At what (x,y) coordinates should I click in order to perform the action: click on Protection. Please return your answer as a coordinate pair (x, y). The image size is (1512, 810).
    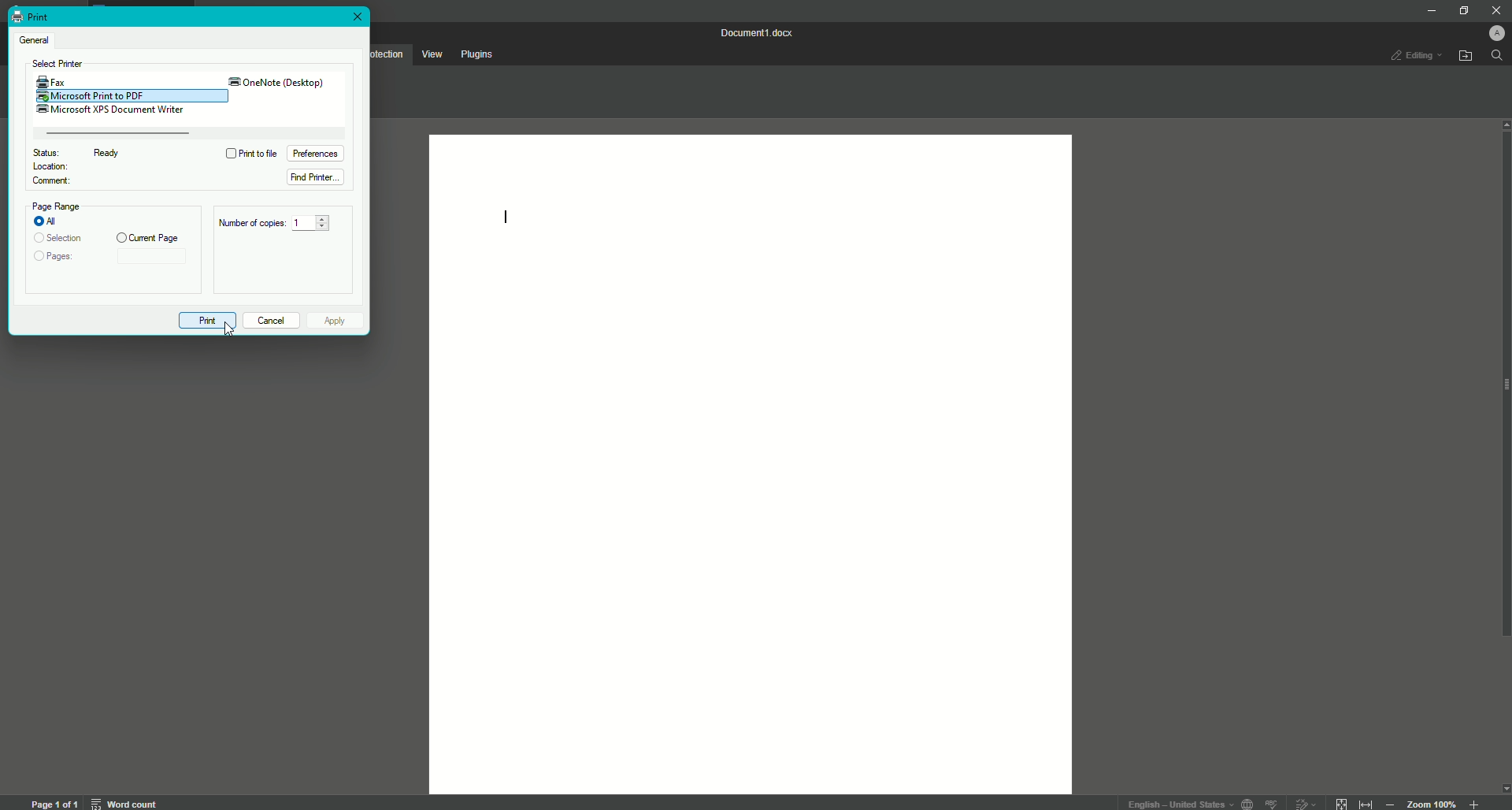
    Looking at the image, I should click on (388, 53).